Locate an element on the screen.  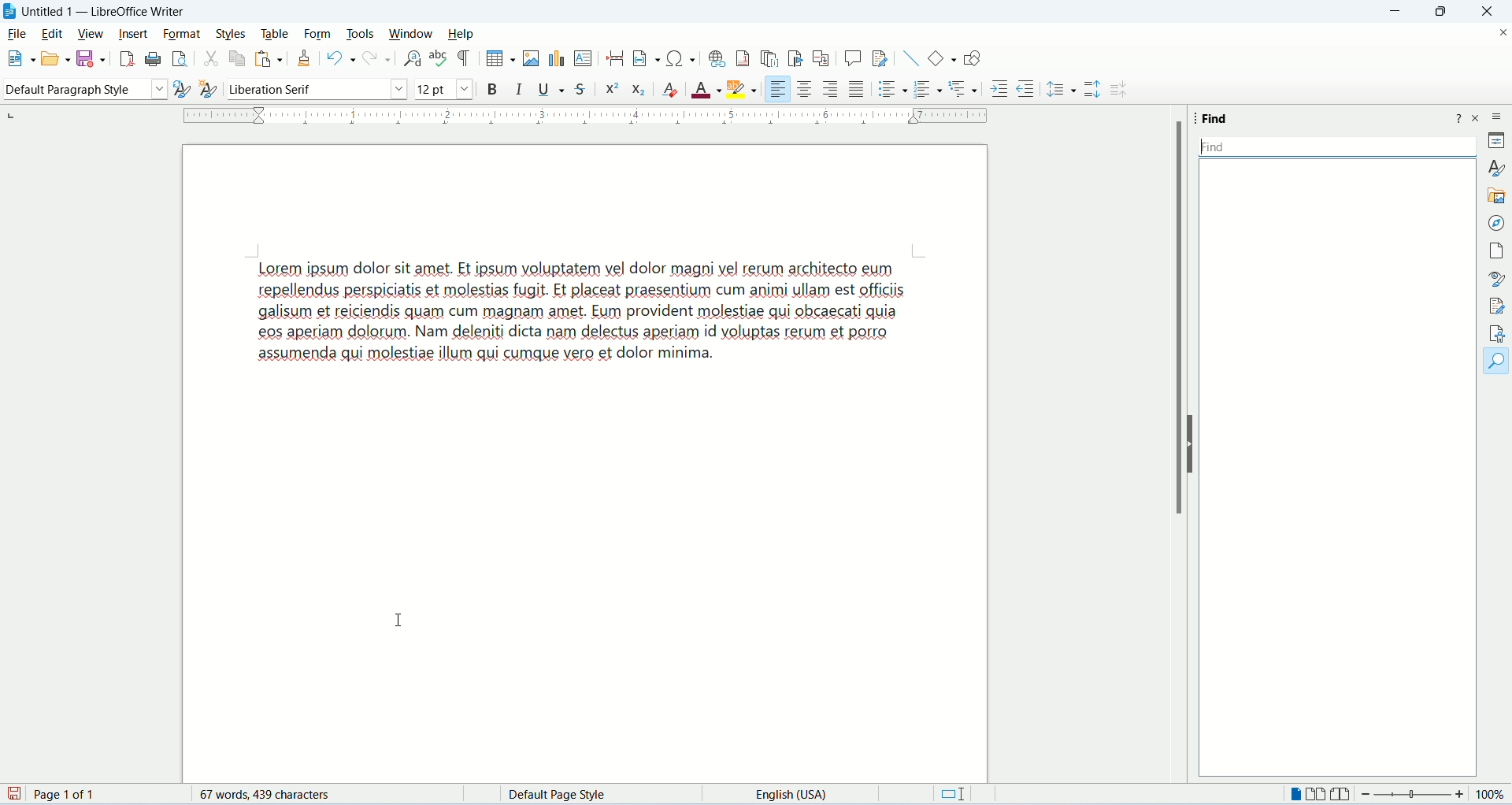
copy is located at coordinates (235, 57).